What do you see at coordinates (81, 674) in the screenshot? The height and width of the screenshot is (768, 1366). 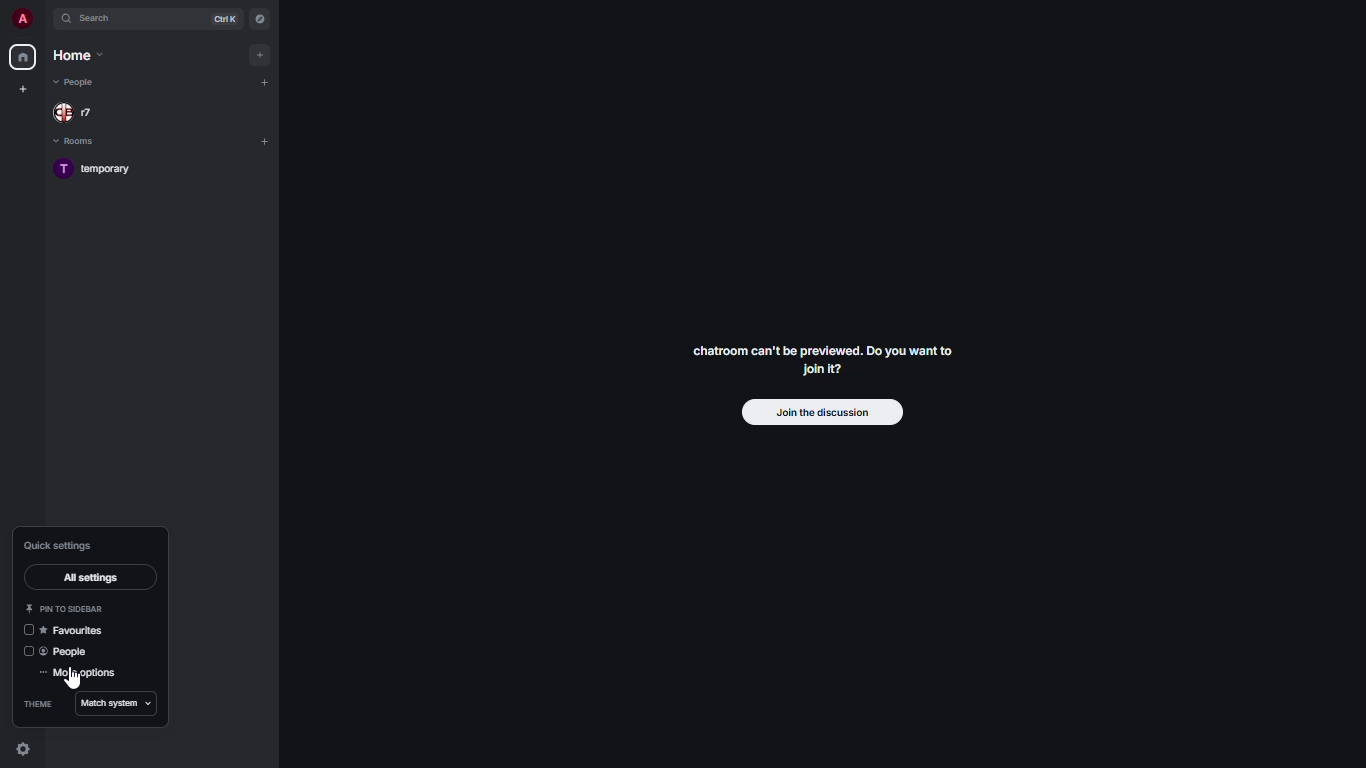 I see `more settings` at bounding box center [81, 674].